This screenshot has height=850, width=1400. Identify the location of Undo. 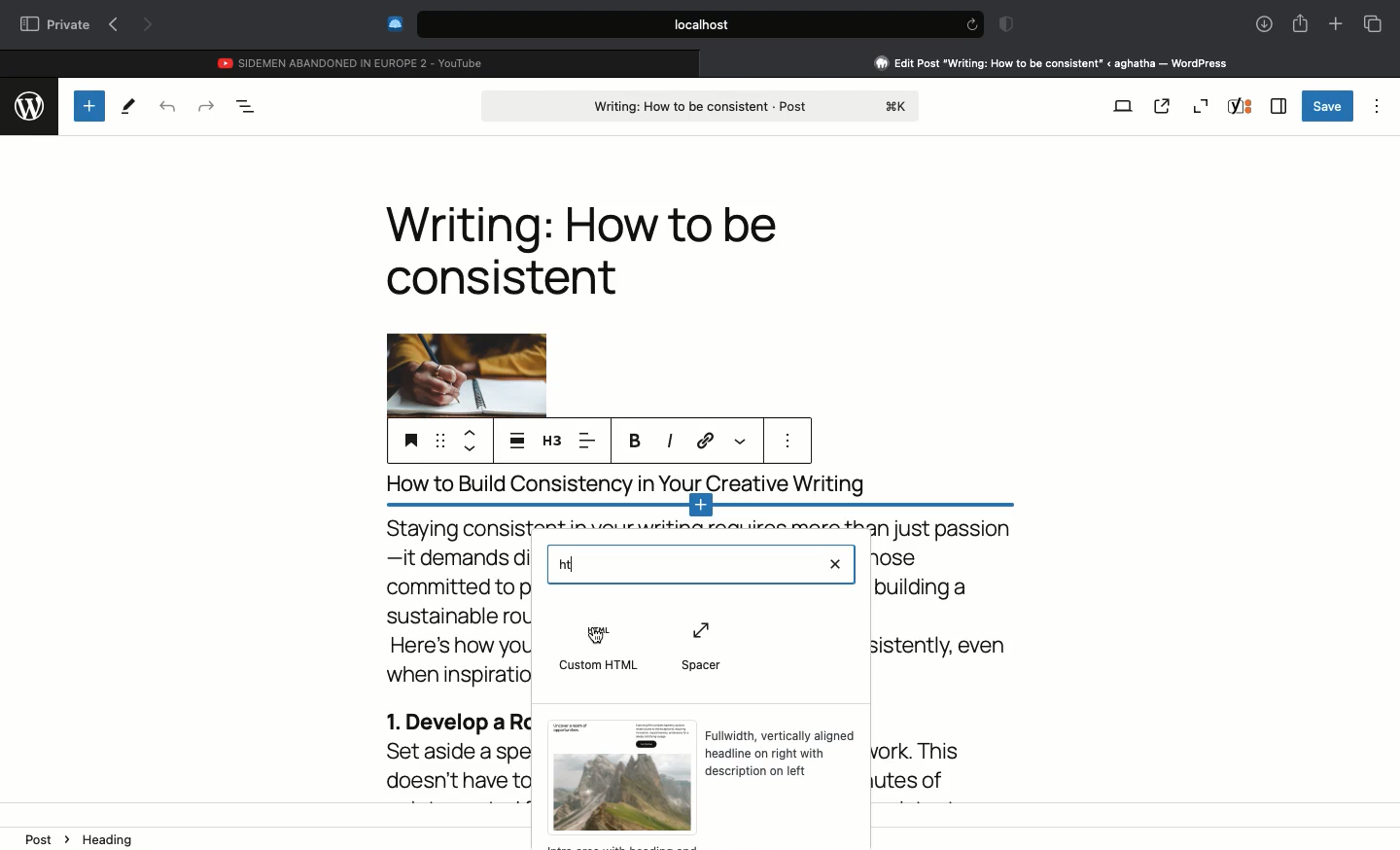
(167, 106).